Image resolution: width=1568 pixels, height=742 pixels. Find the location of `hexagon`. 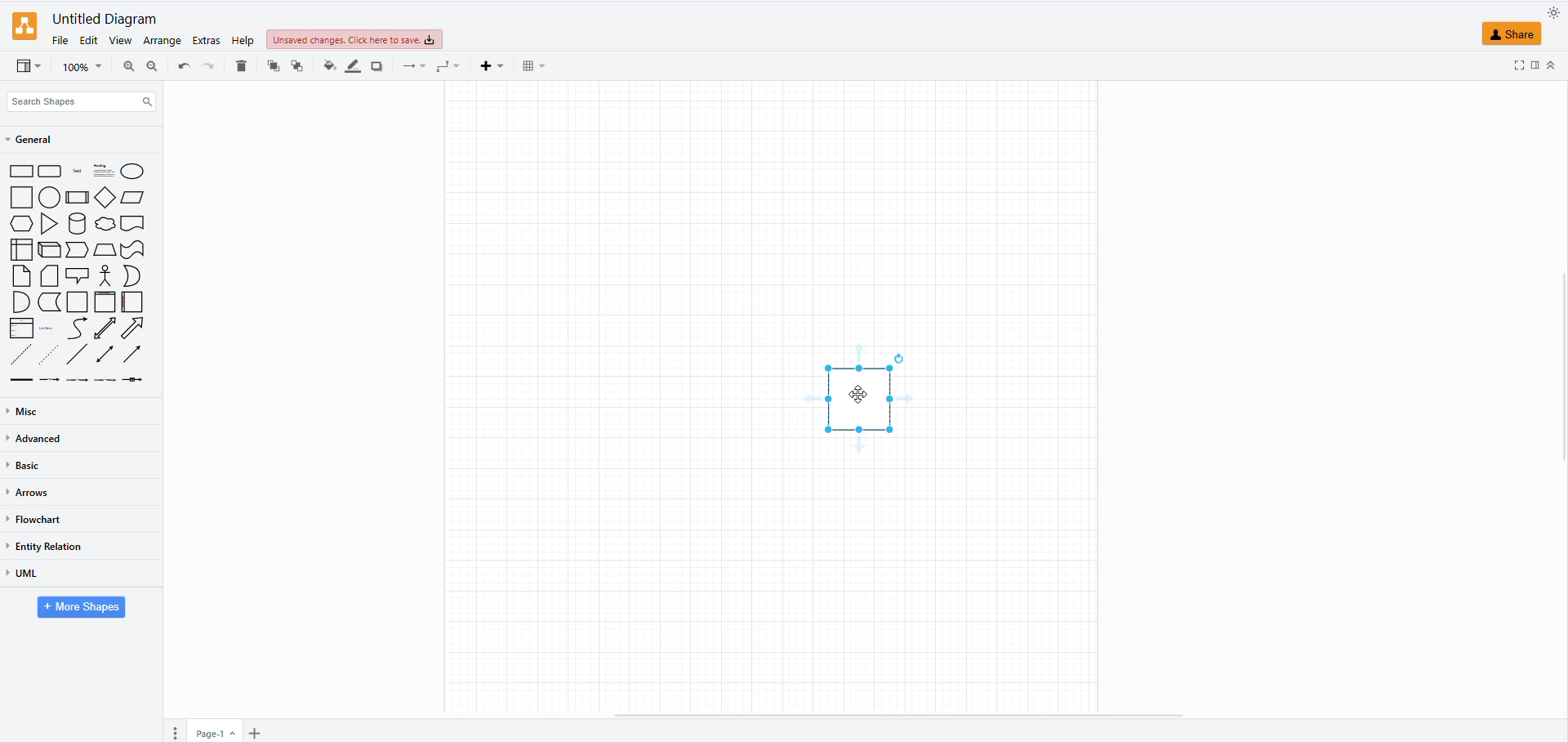

hexagon is located at coordinates (22, 225).